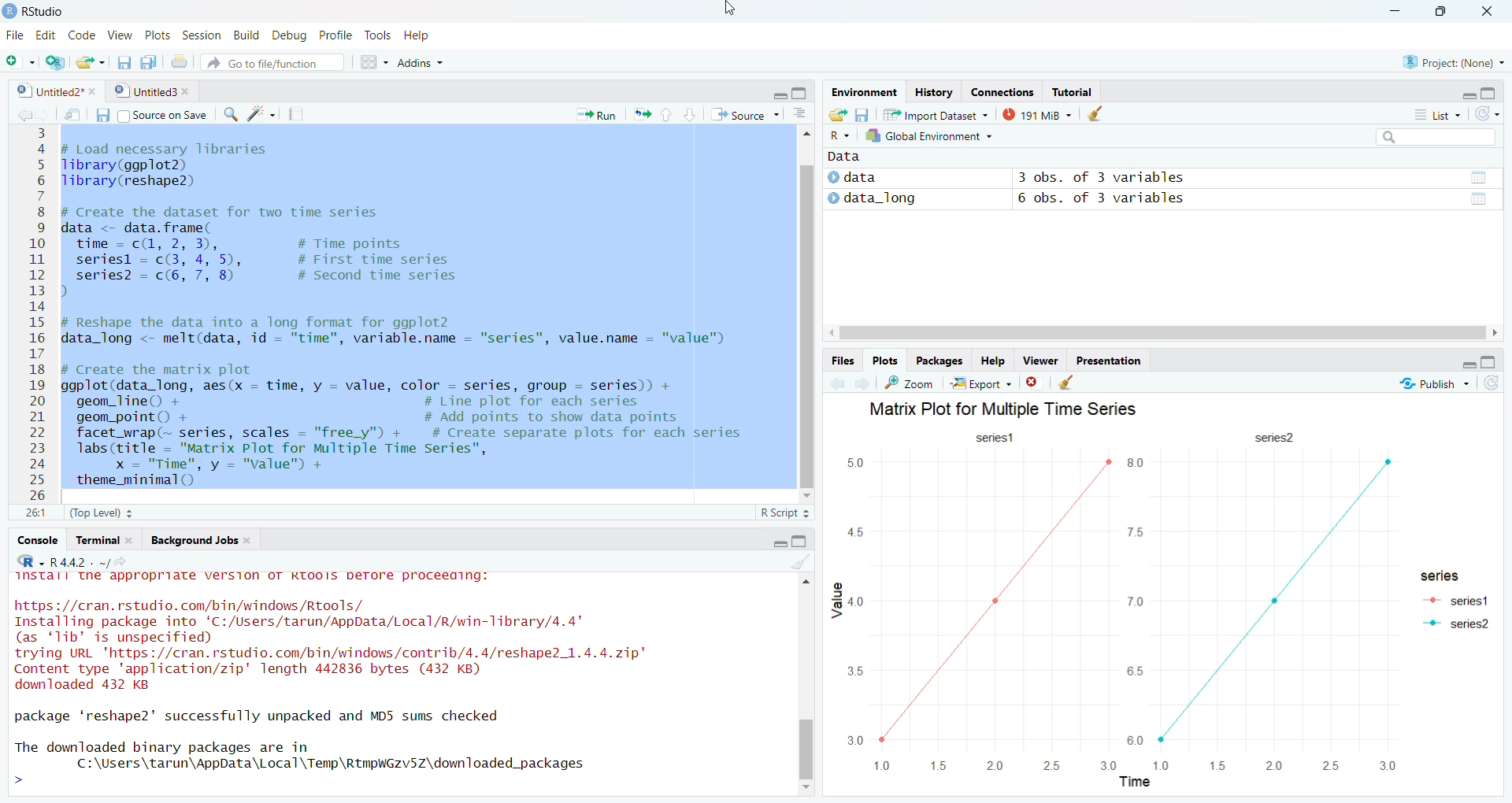  I want to click on Code, so click(82, 36).